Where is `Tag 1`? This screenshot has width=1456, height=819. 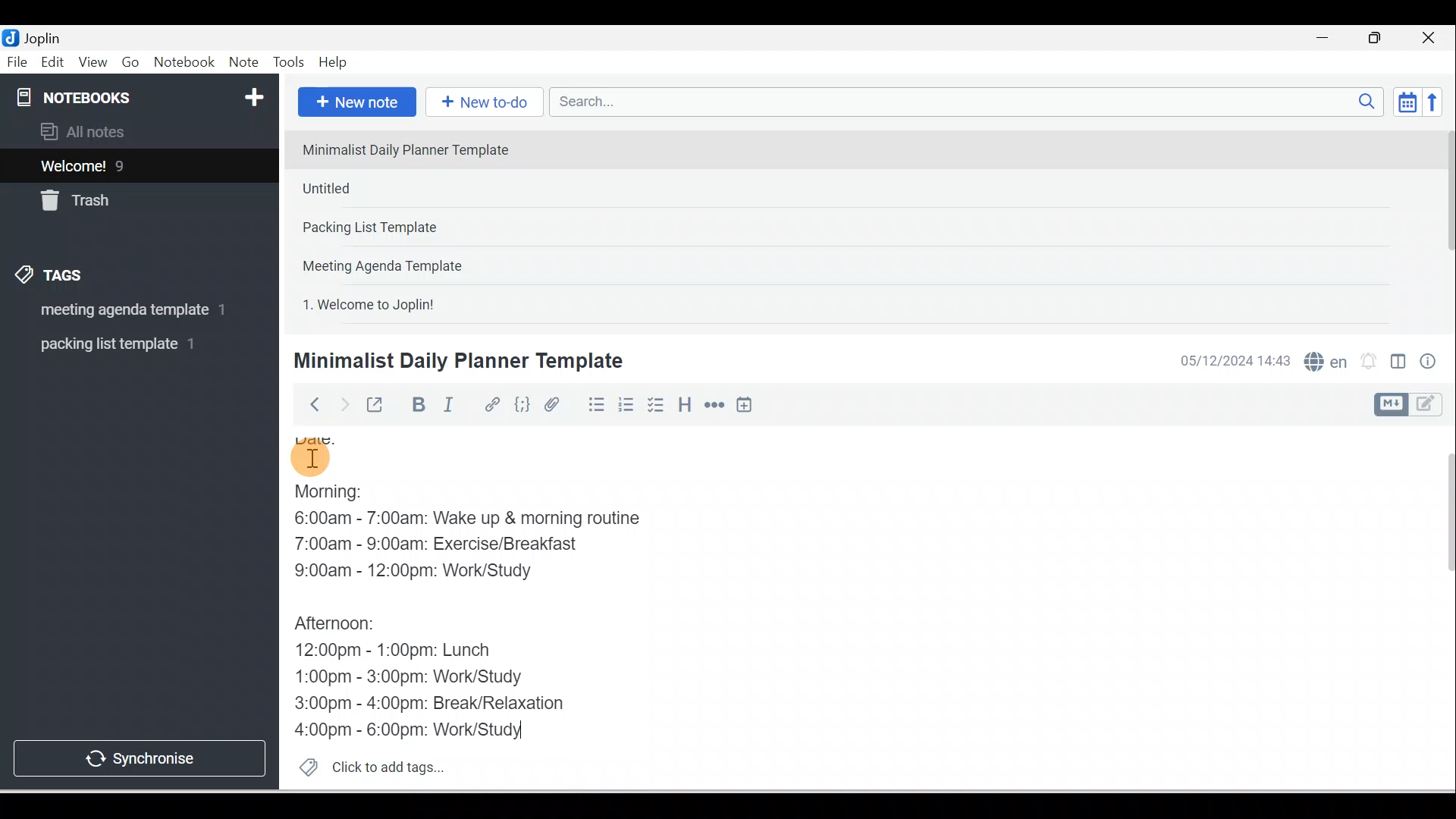 Tag 1 is located at coordinates (119, 311).